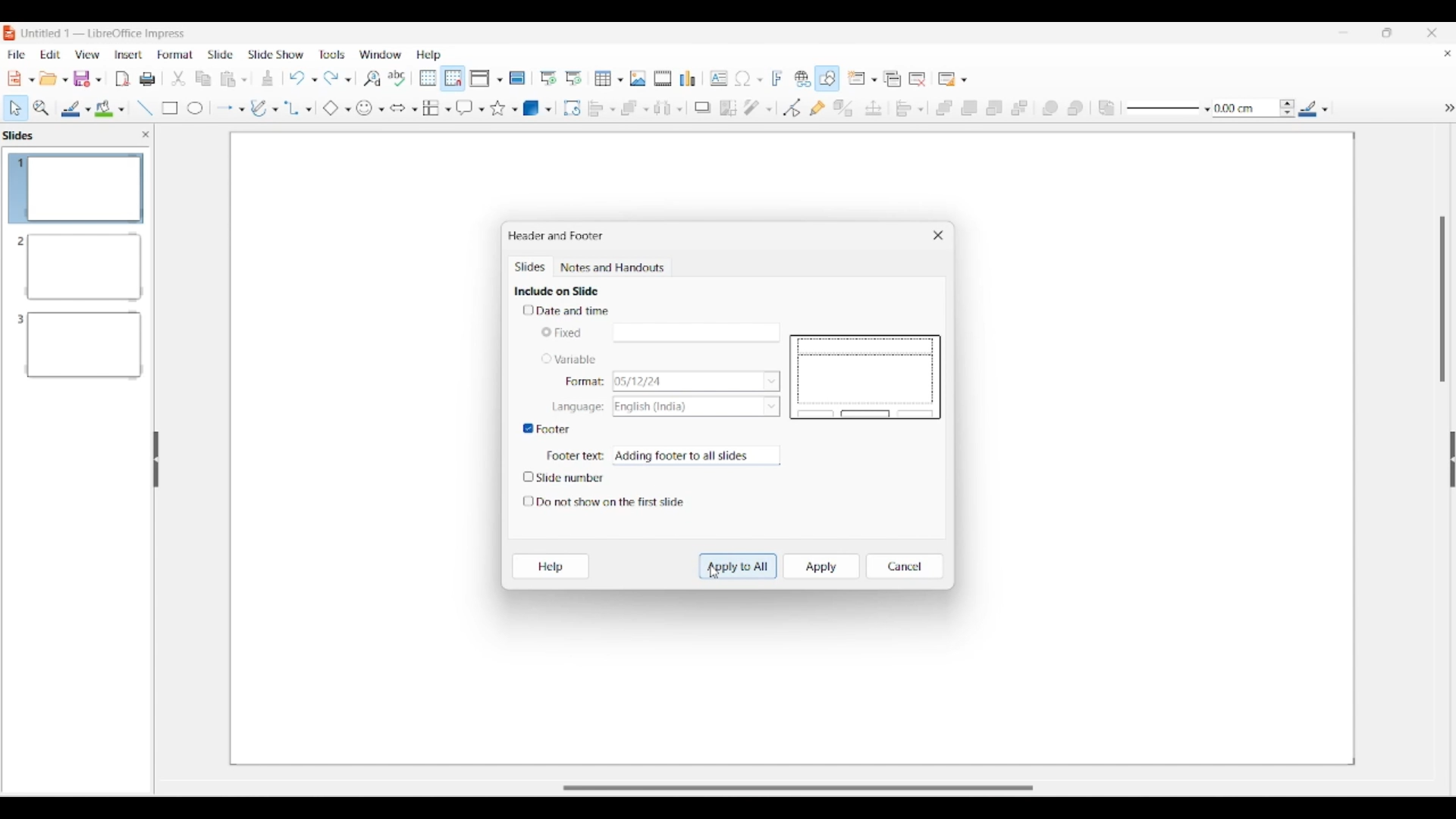  I want to click on Notes and handouts tab, so click(614, 268).